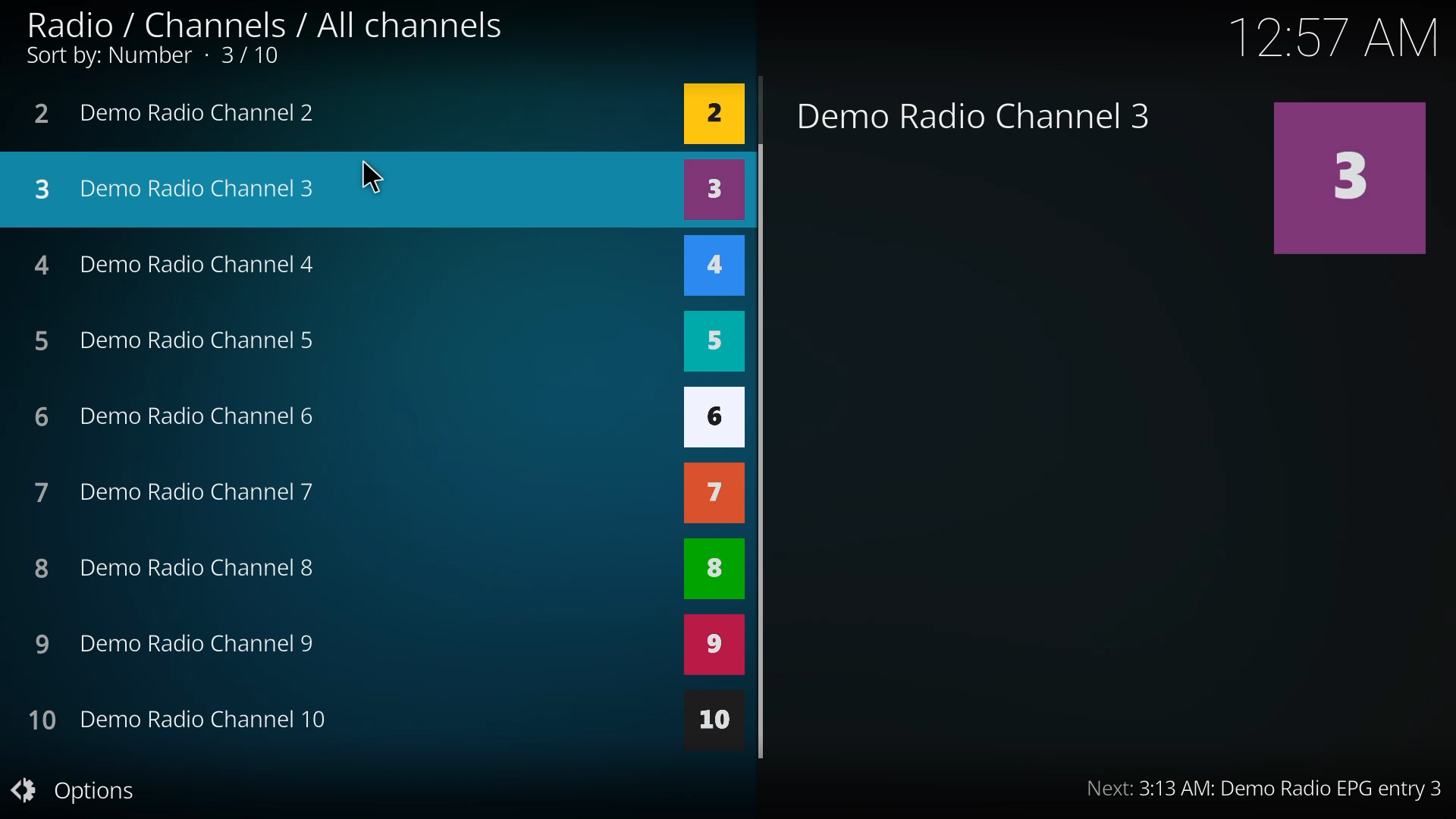 The image size is (1456, 819). Describe the element at coordinates (180, 492) in the screenshot. I see `7 Demo Radio Channel 7` at that location.